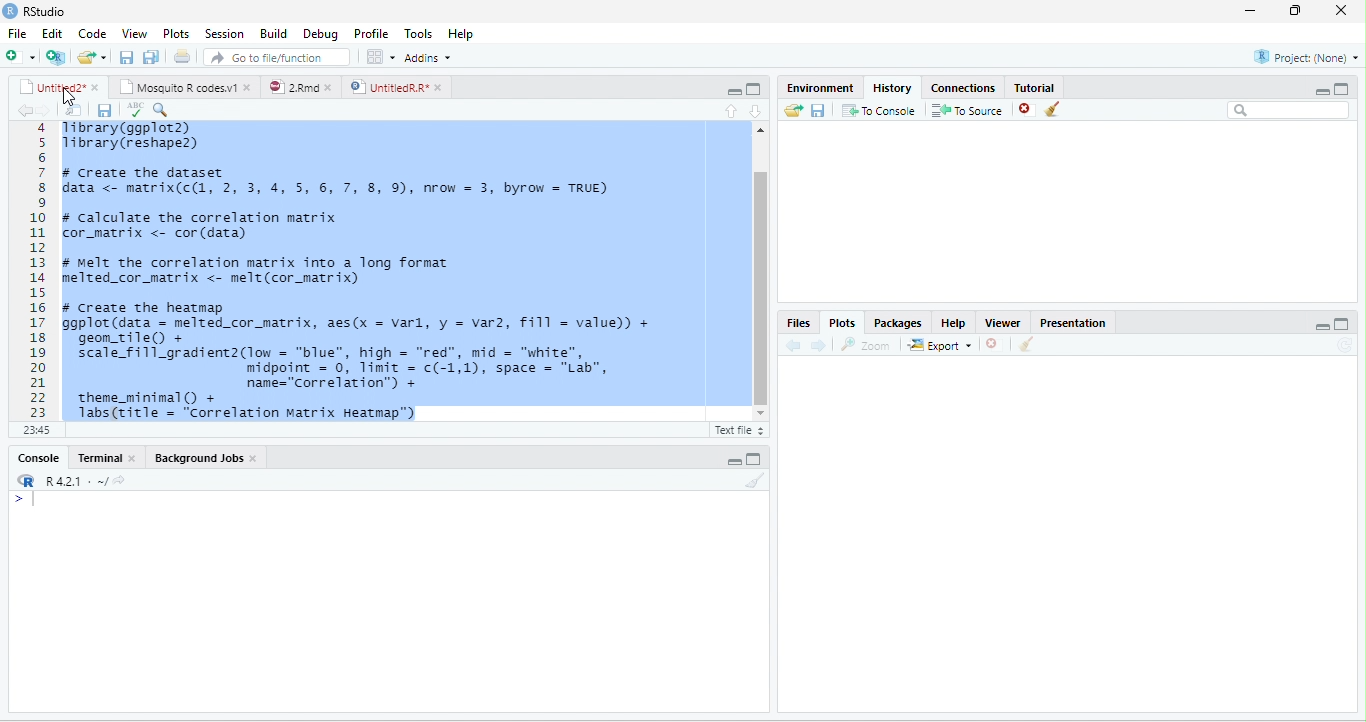 This screenshot has height=722, width=1366. I want to click on export, so click(940, 347).